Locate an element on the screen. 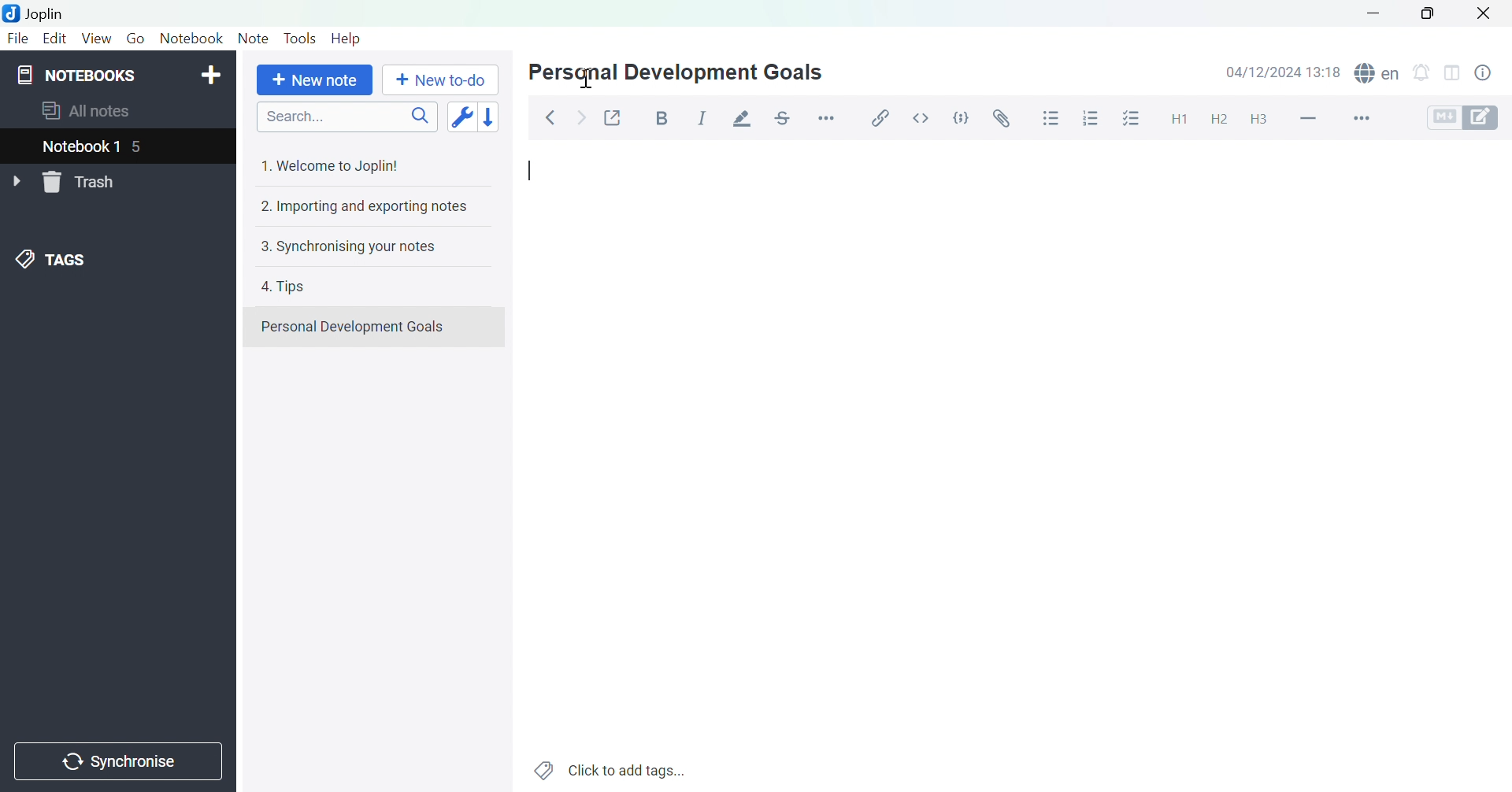 The image size is (1512, 792). Code is located at coordinates (960, 116).